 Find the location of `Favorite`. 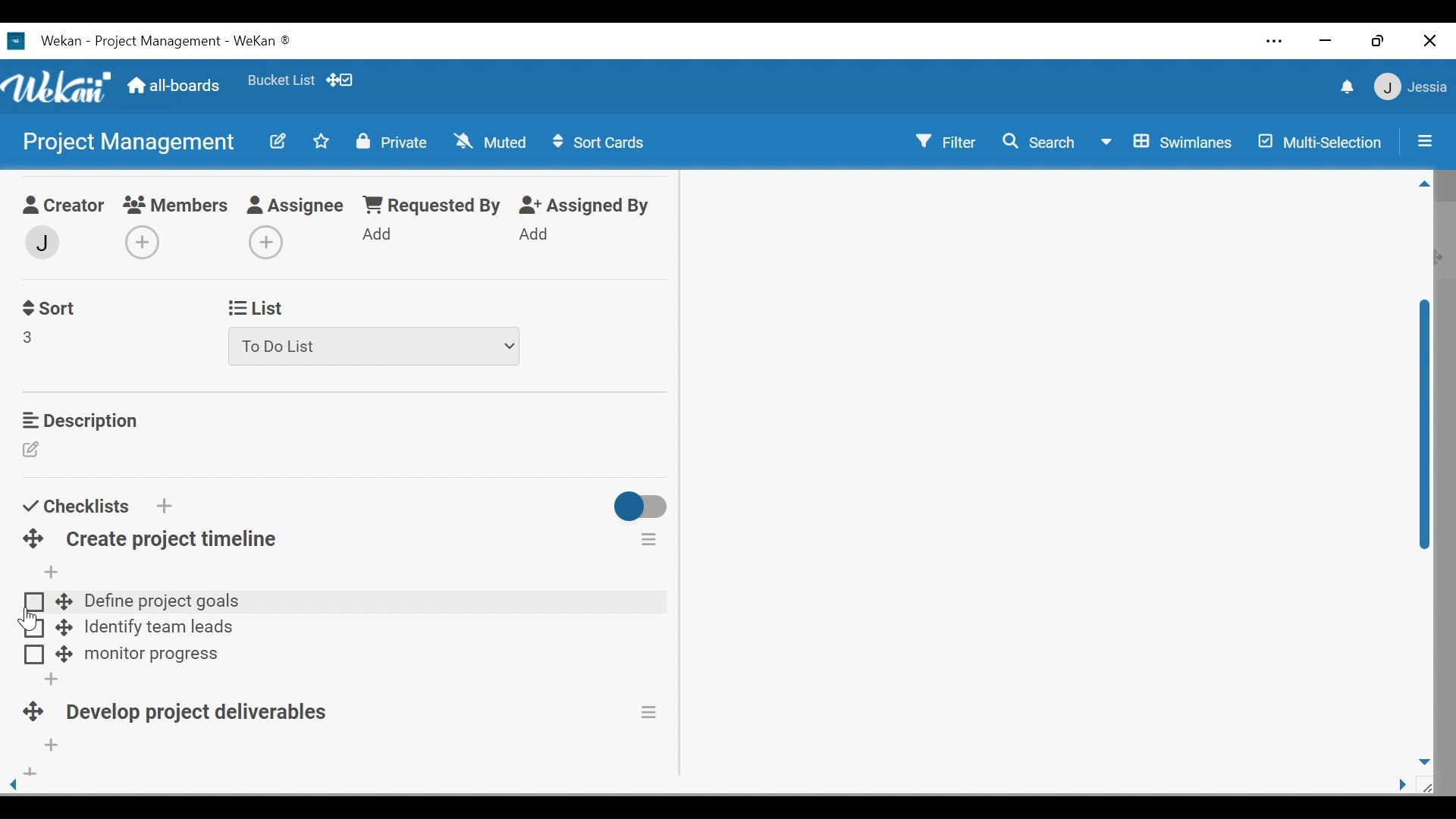

Favorite is located at coordinates (281, 80).